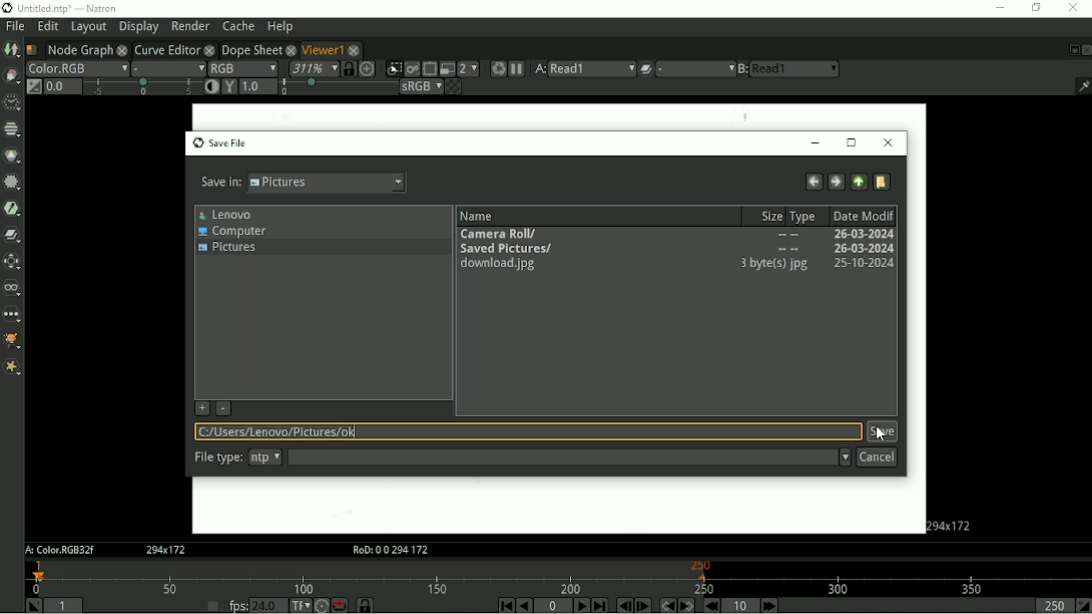 This screenshot has width=1092, height=614. I want to click on RoD, so click(390, 550).